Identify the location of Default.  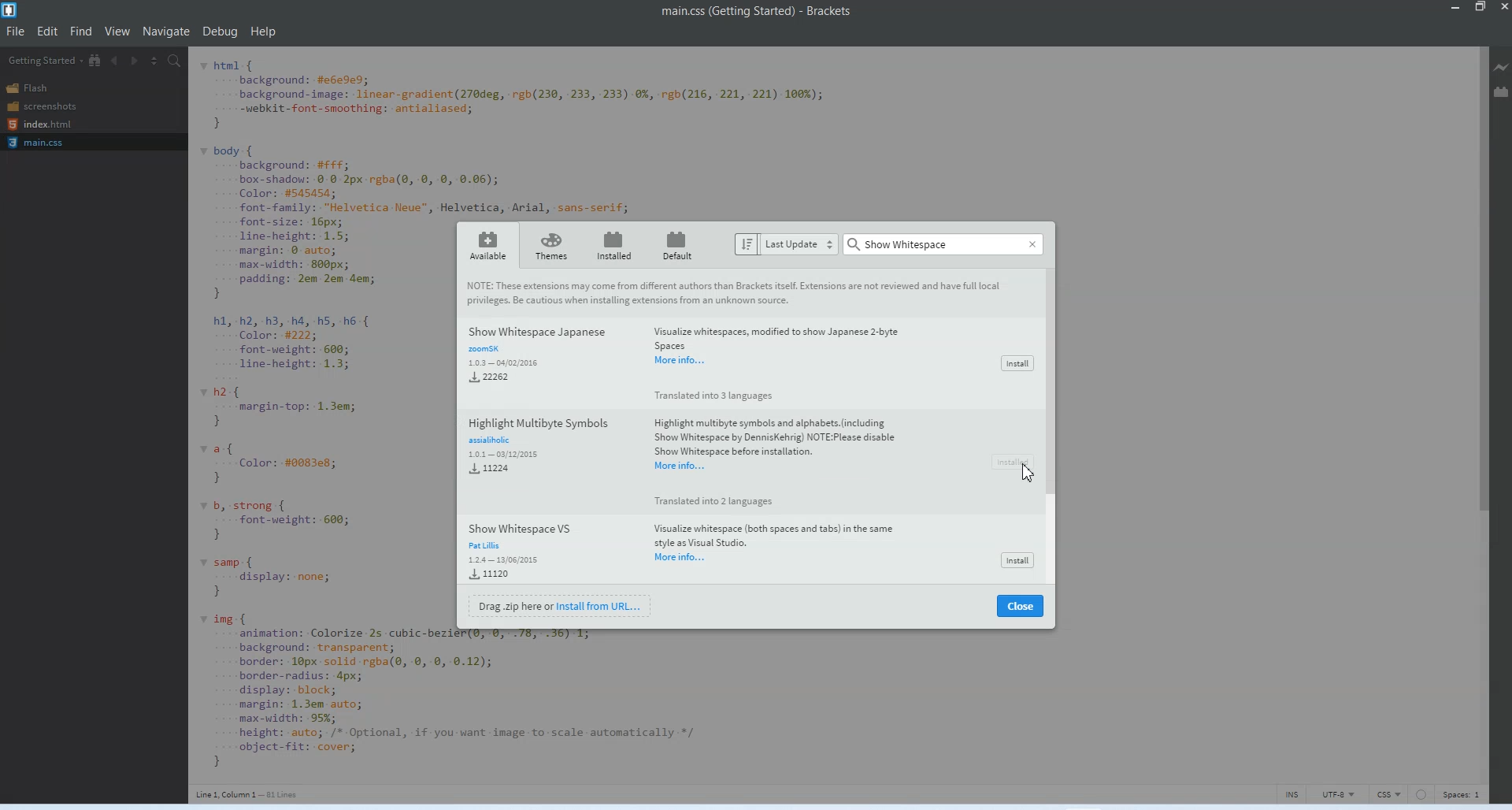
(680, 244).